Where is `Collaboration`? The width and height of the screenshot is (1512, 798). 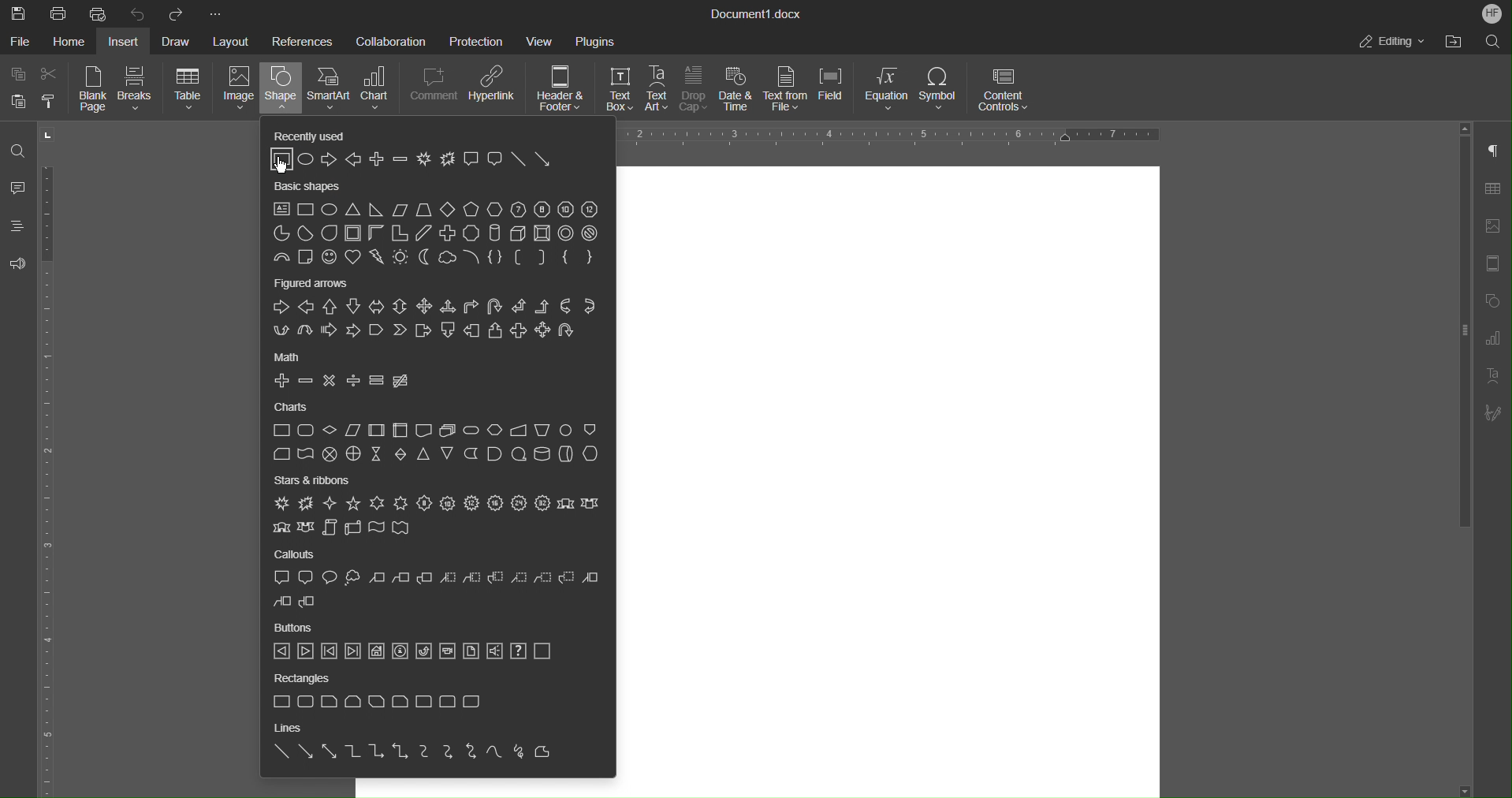
Collaboration is located at coordinates (389, 41).